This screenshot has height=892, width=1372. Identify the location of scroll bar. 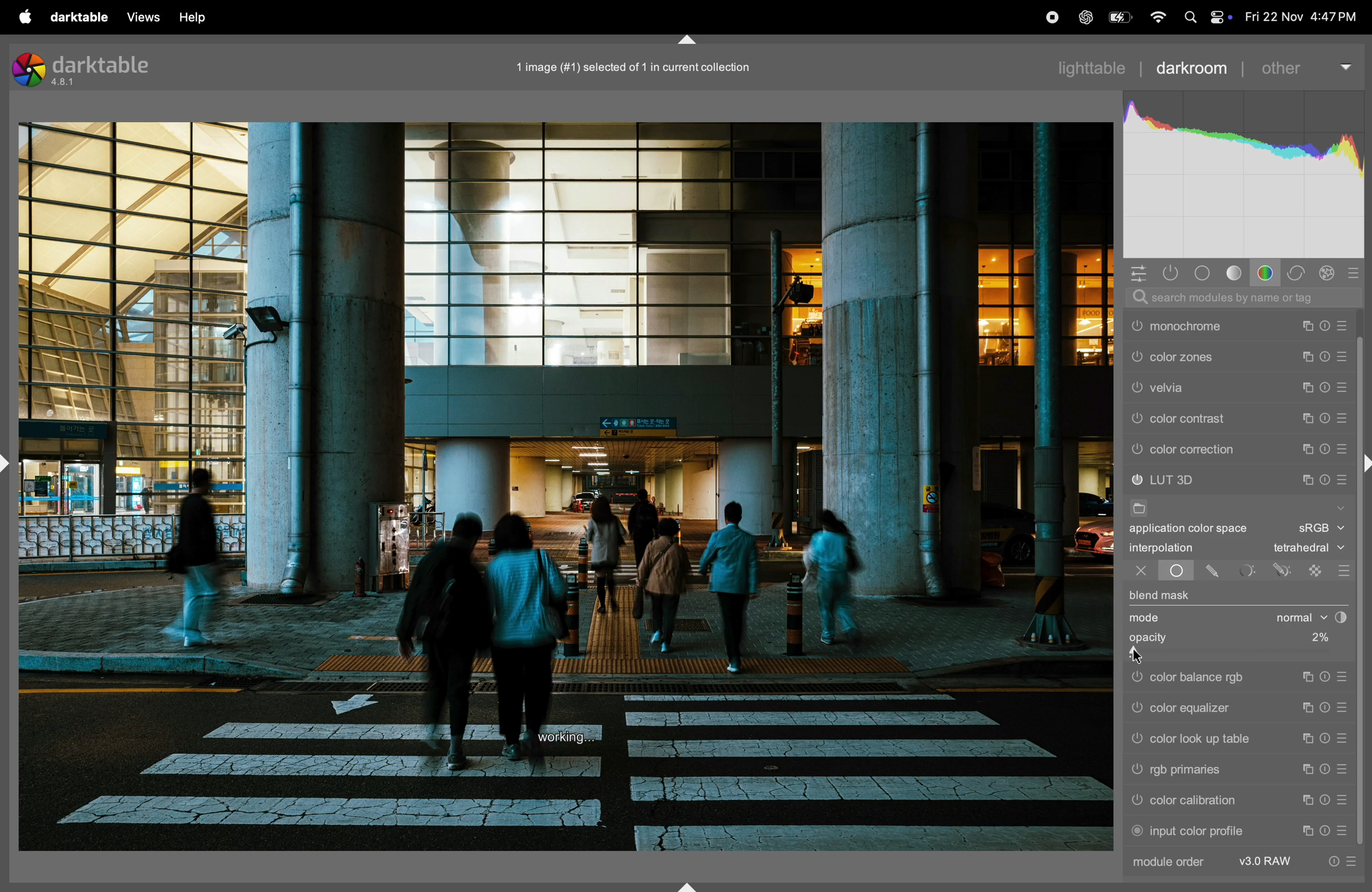
(1363, 664).